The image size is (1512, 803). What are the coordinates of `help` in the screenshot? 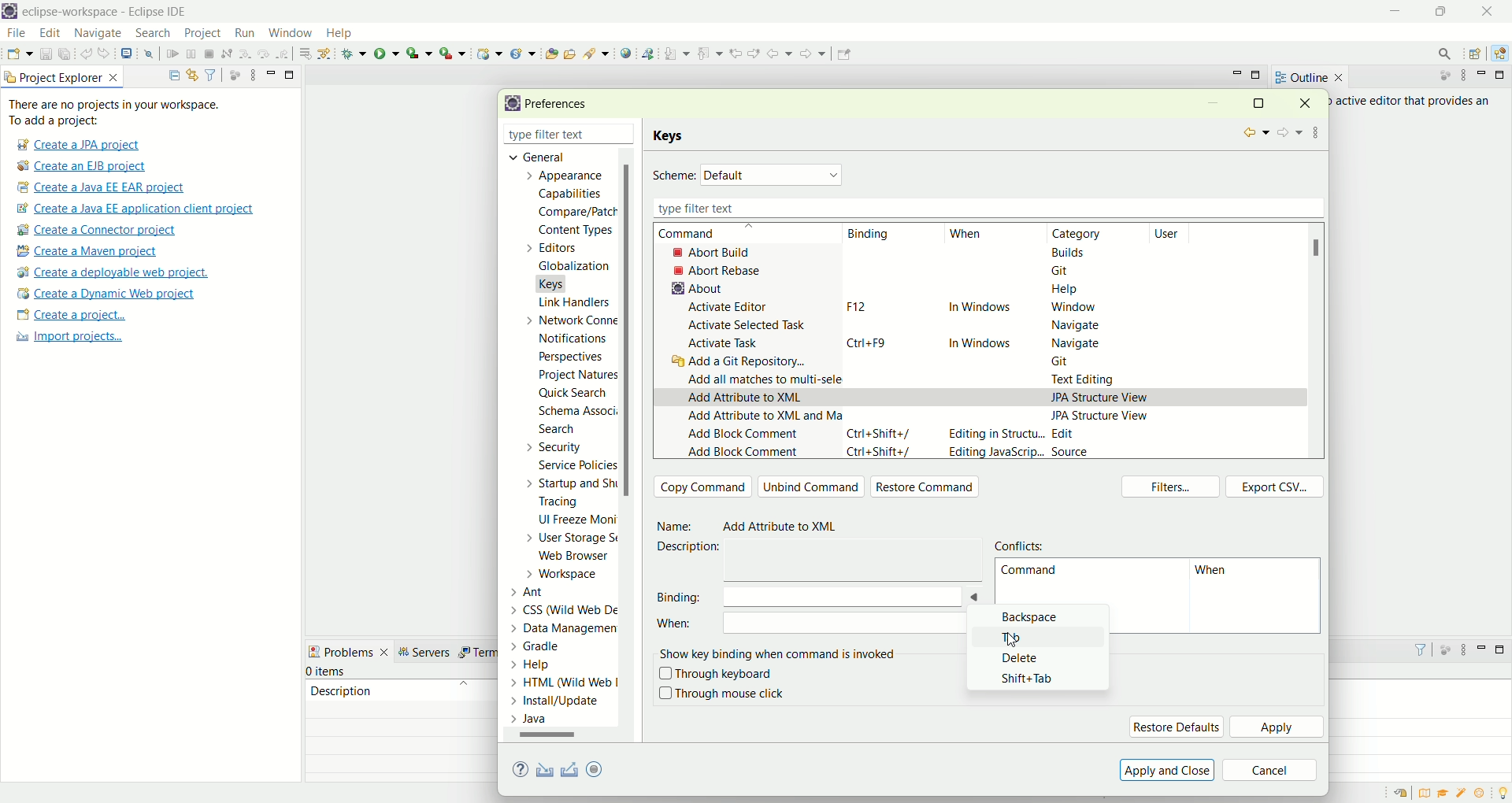 It's located at (523, 771).